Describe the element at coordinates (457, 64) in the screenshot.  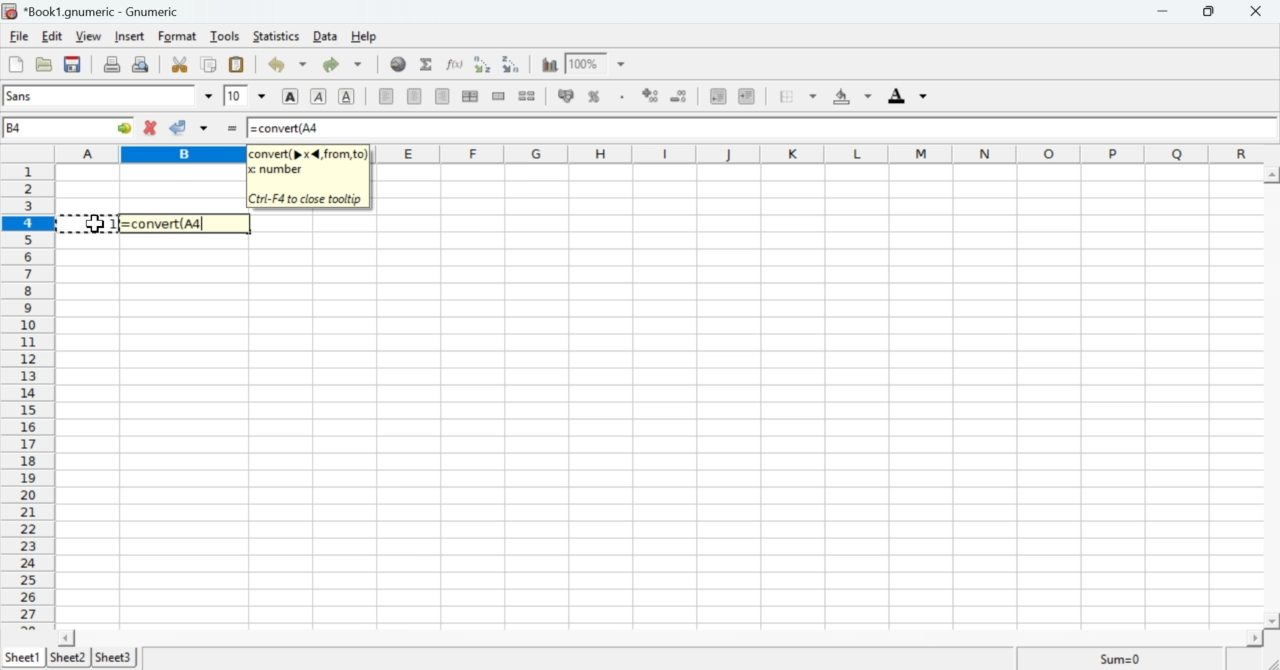
I see `Edit function` at that location.